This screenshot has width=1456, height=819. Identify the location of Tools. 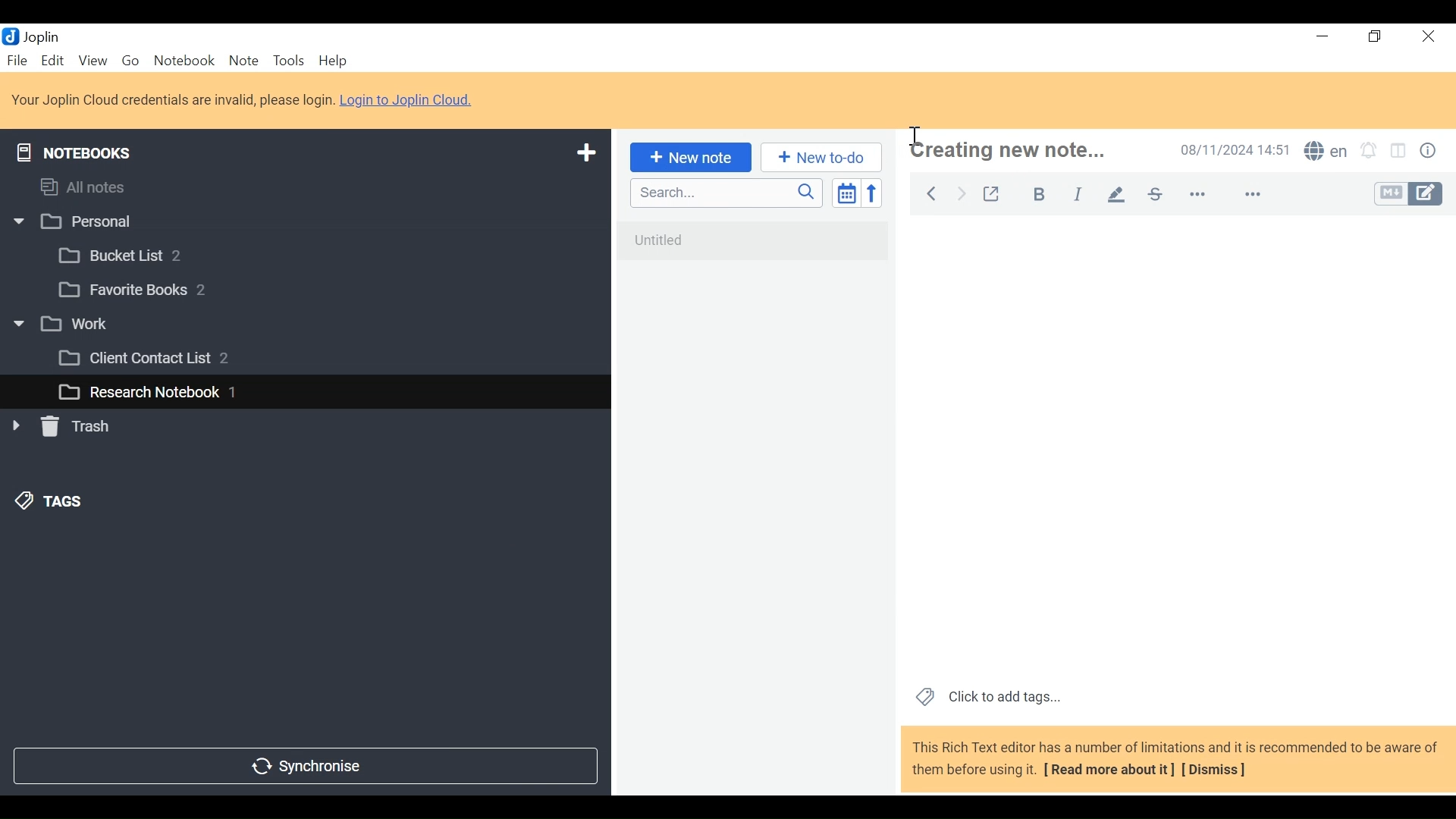
(287, 61).